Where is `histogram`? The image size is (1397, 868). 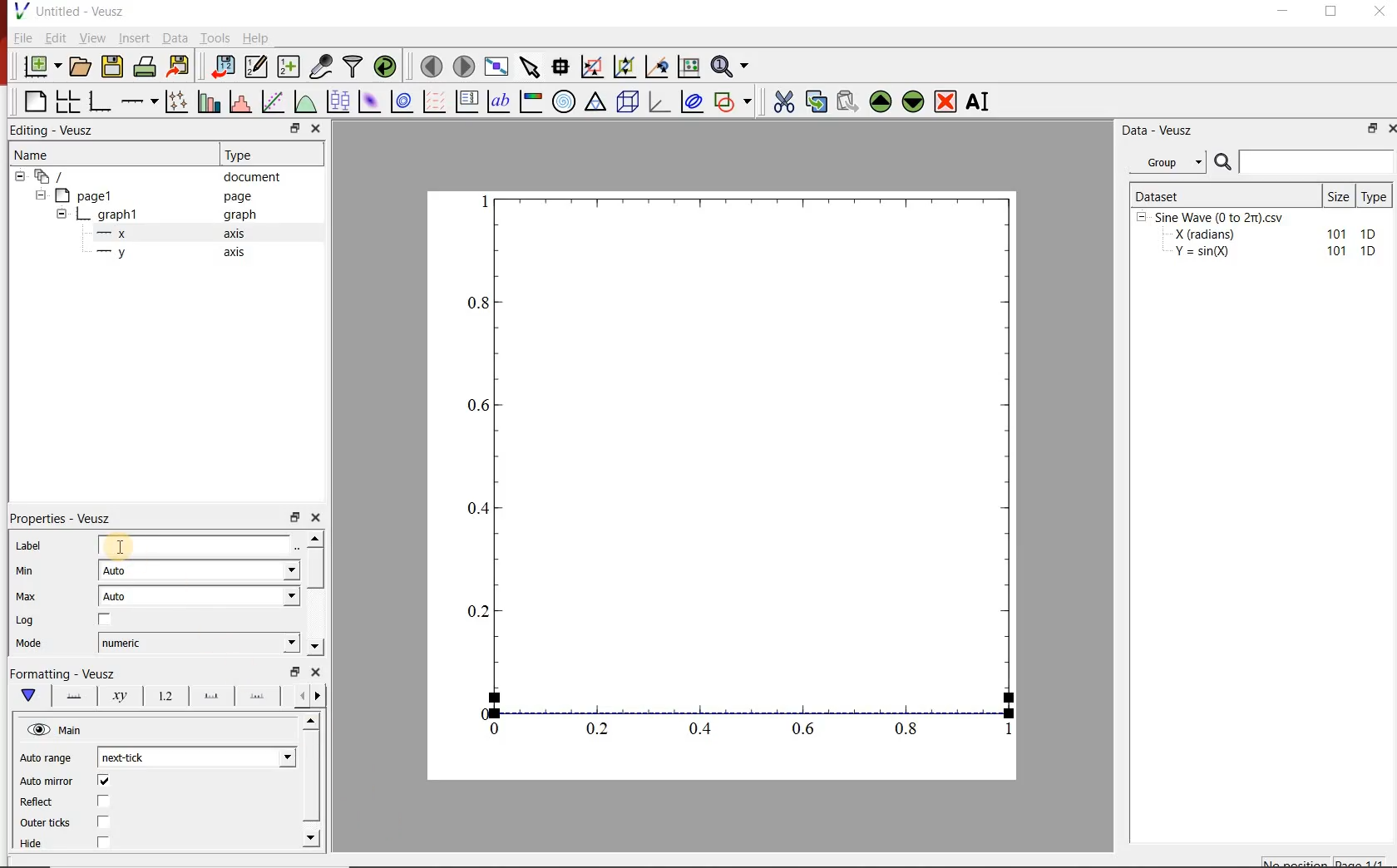 histogram is located at coordinates (242, 101).